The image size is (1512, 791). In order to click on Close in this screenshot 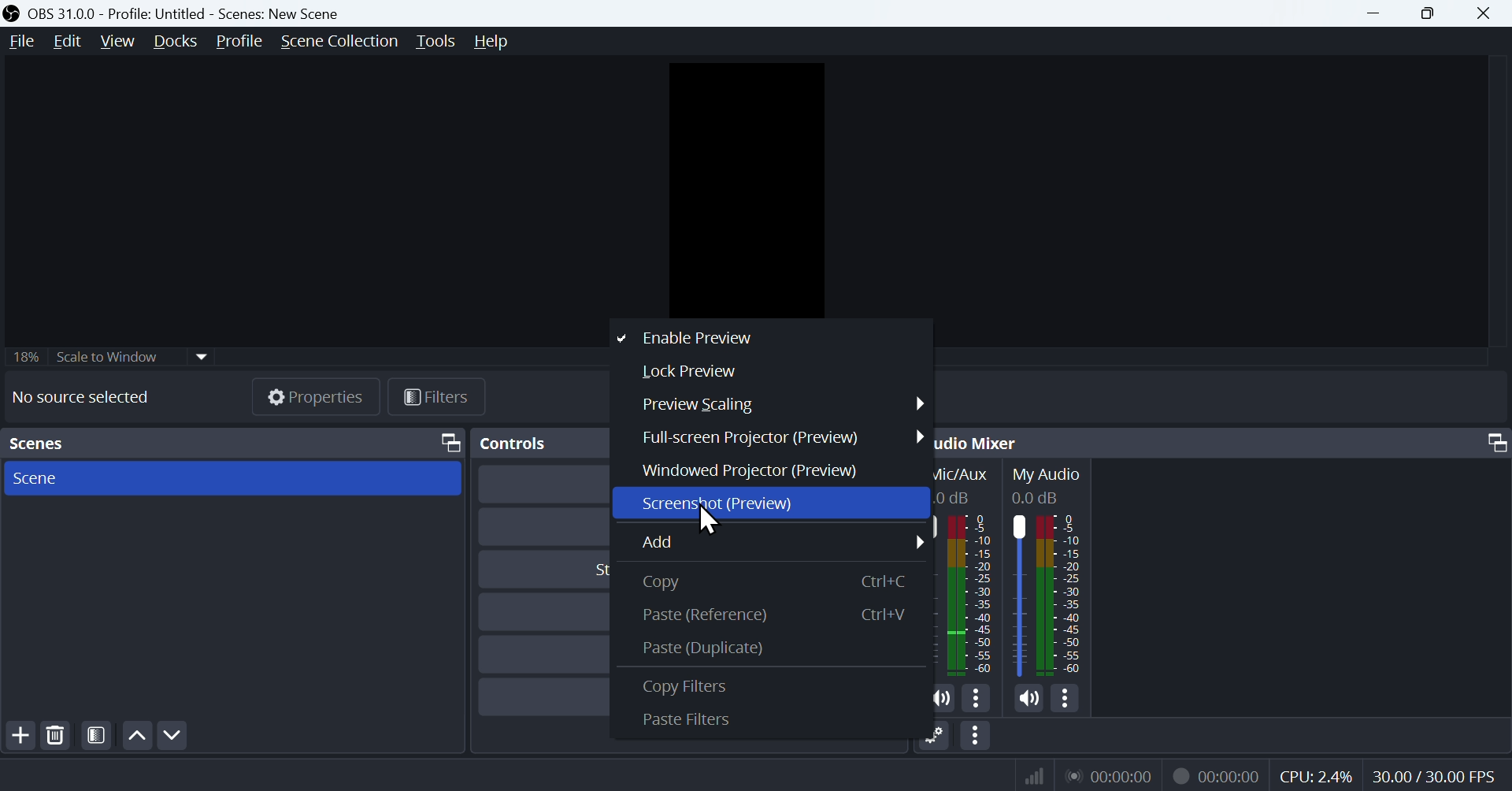, I will do `click(1488, 13)`.